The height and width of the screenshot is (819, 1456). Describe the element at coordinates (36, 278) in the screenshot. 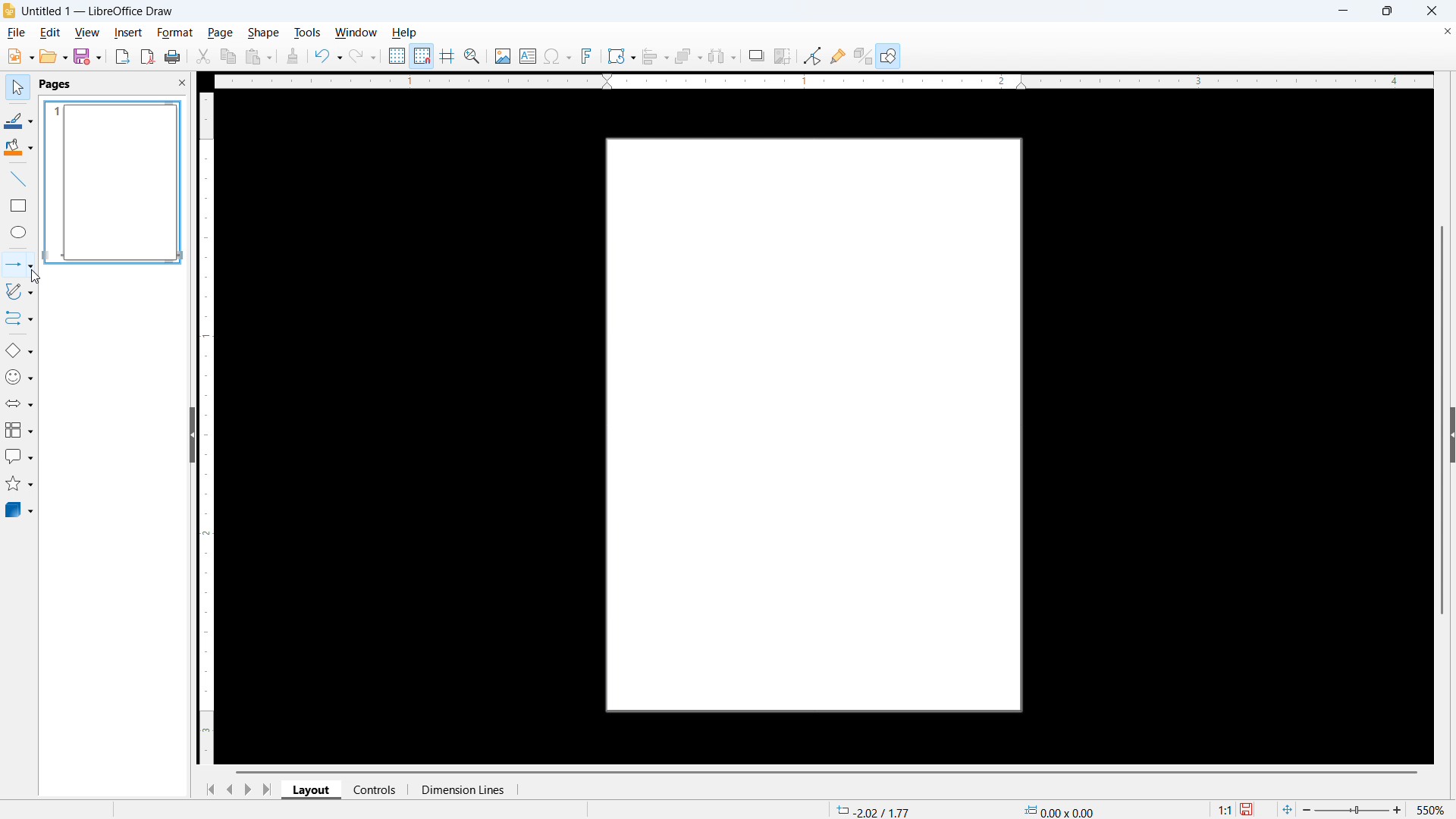

I see `Cursor ` at that location.